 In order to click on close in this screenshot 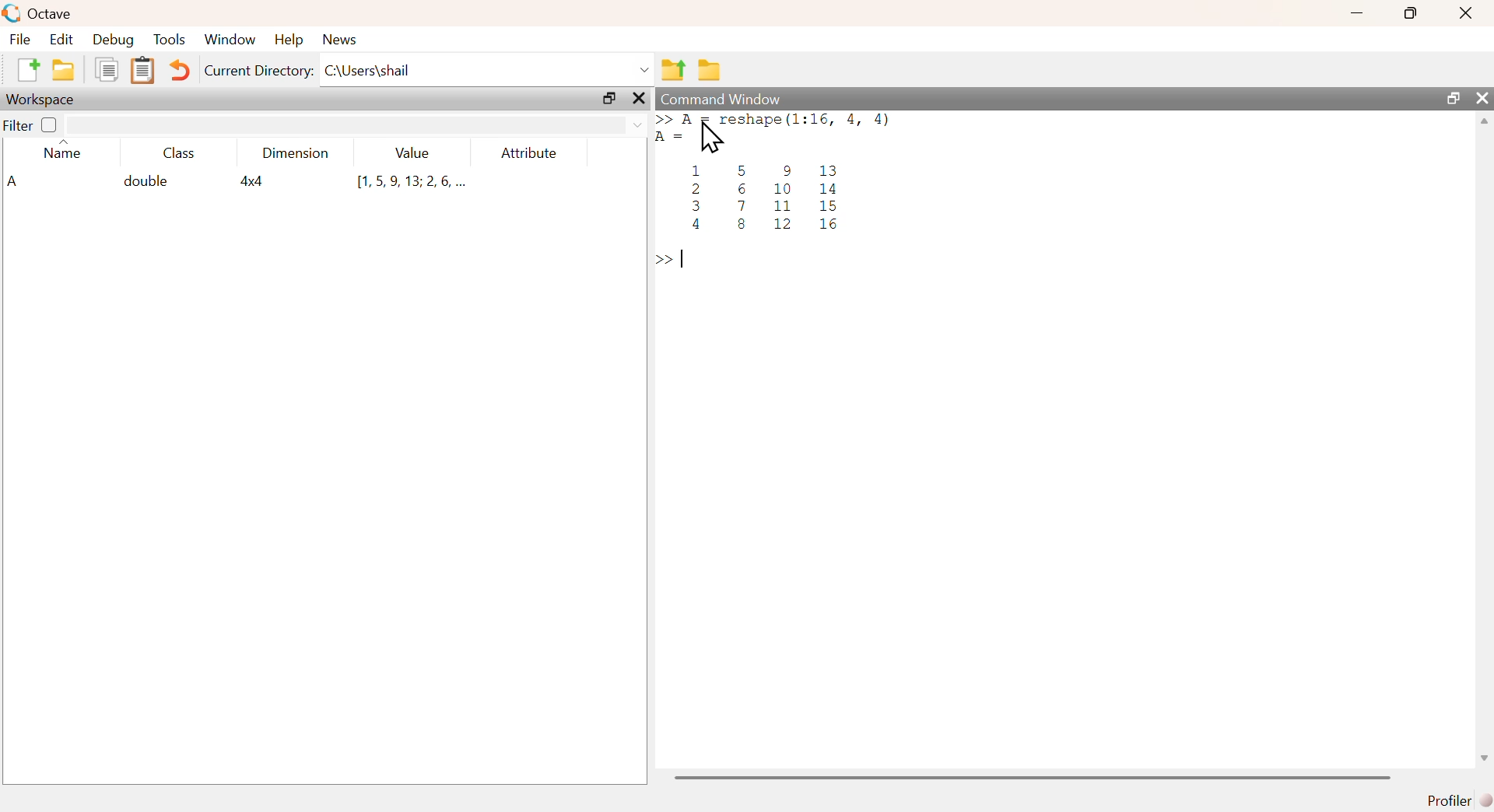, I will do `click(1464, 15)`.